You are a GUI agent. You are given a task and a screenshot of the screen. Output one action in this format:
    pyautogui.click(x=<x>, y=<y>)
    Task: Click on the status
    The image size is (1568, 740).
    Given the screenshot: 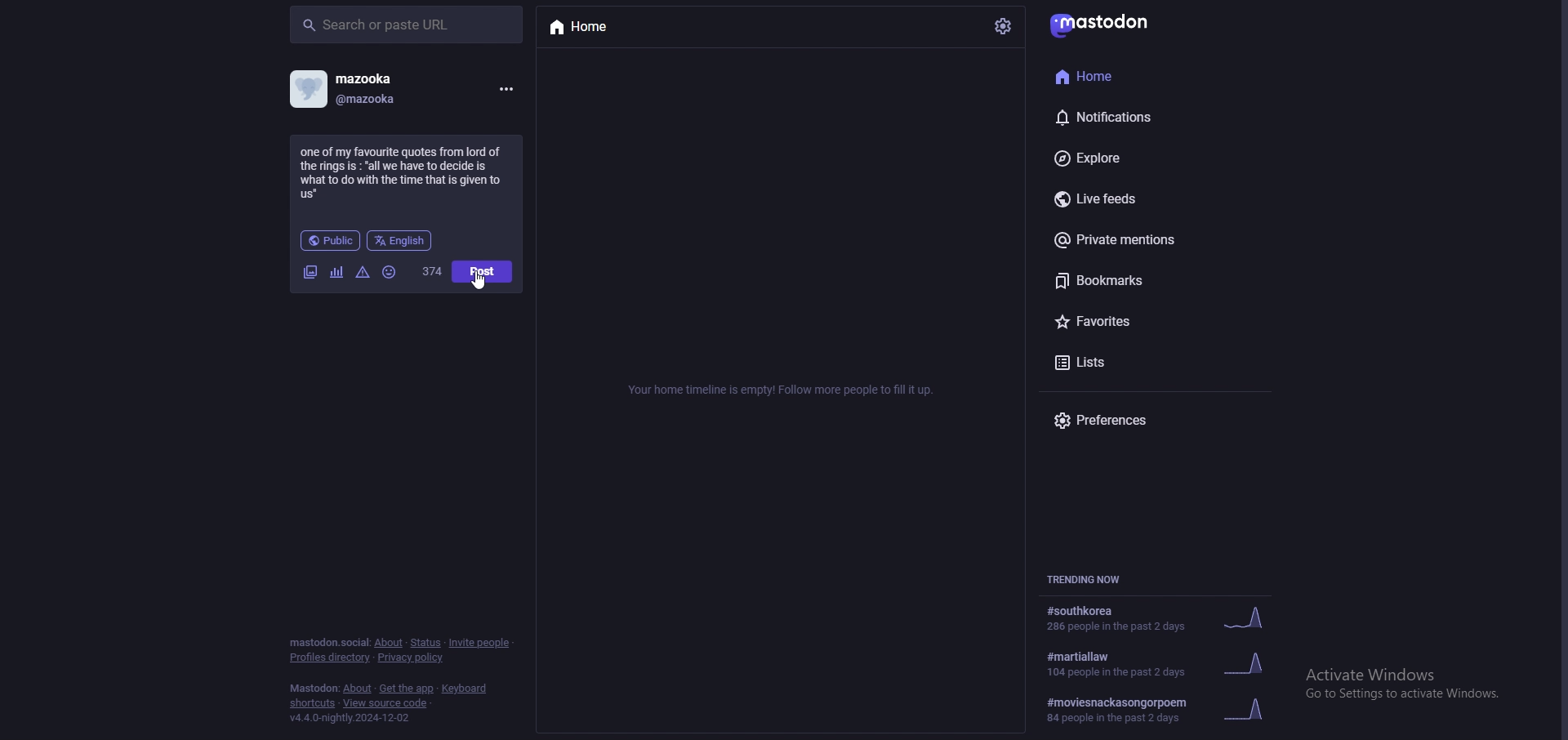 What is the action you would take?
    pyautogui.click(x=425, y=644)
    